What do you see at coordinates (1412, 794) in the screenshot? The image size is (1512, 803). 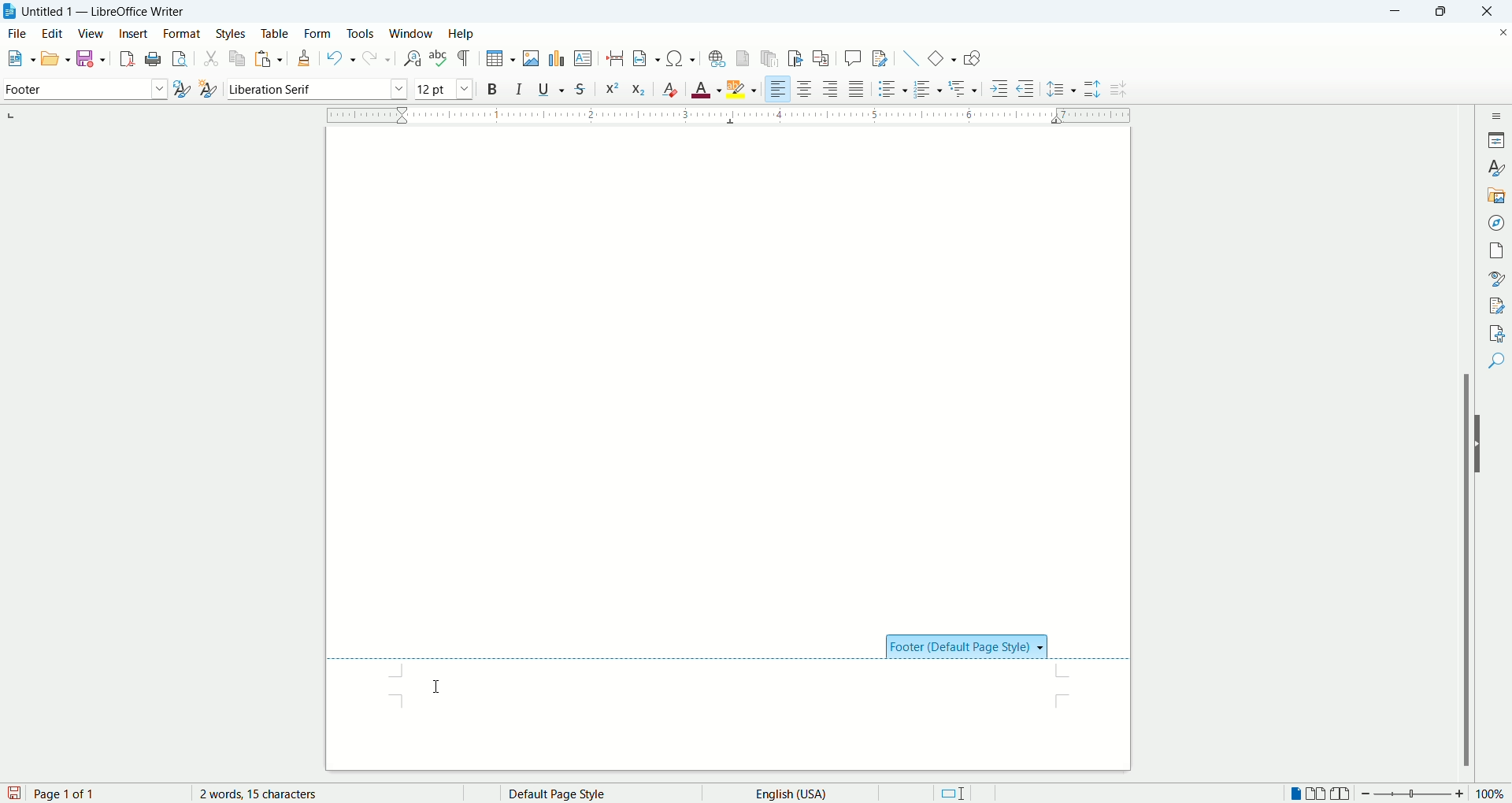 I see `zoom bar` at bounding box center [1412, 794].